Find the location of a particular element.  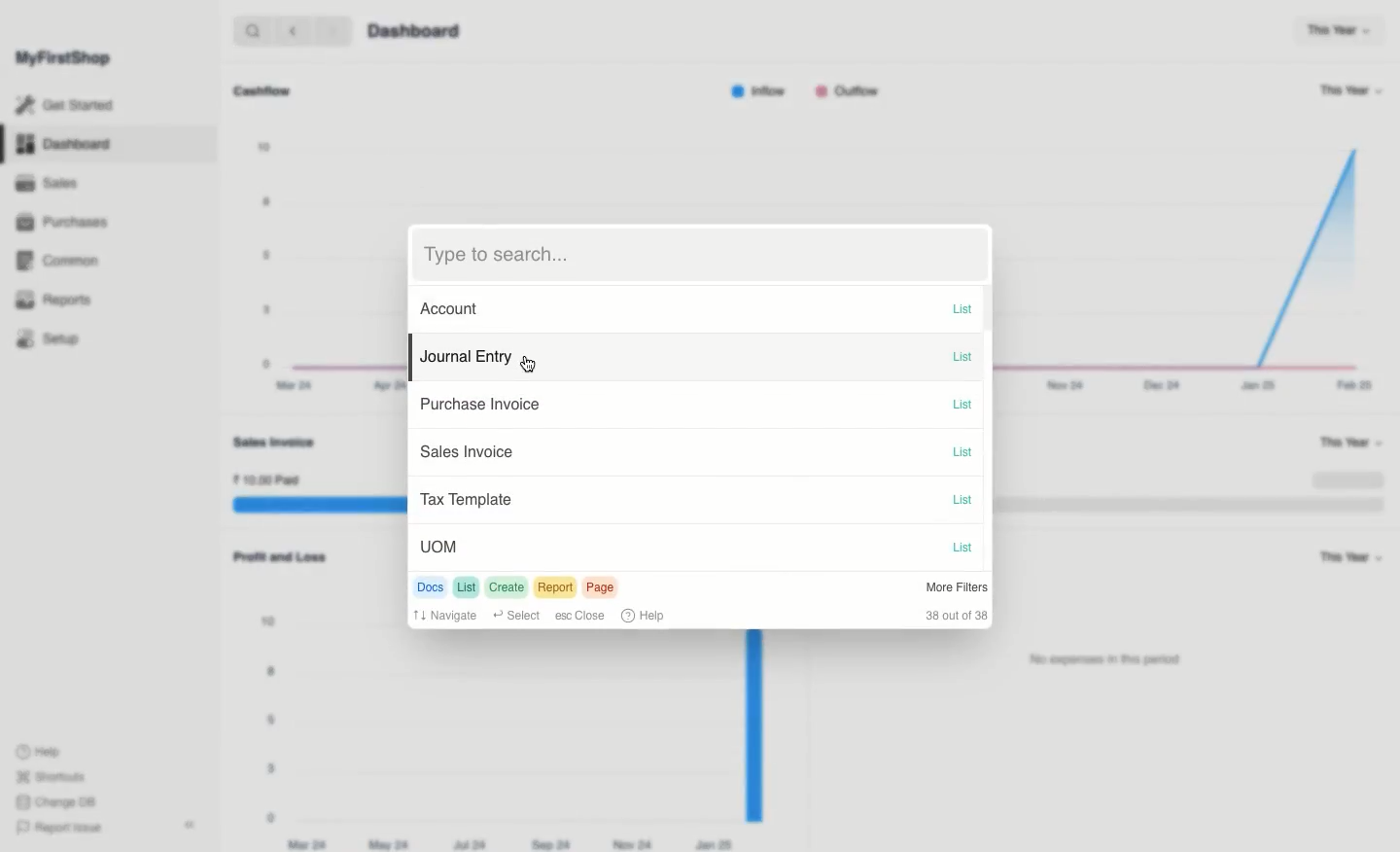

Cashflow is located at coordinates (267, 92).